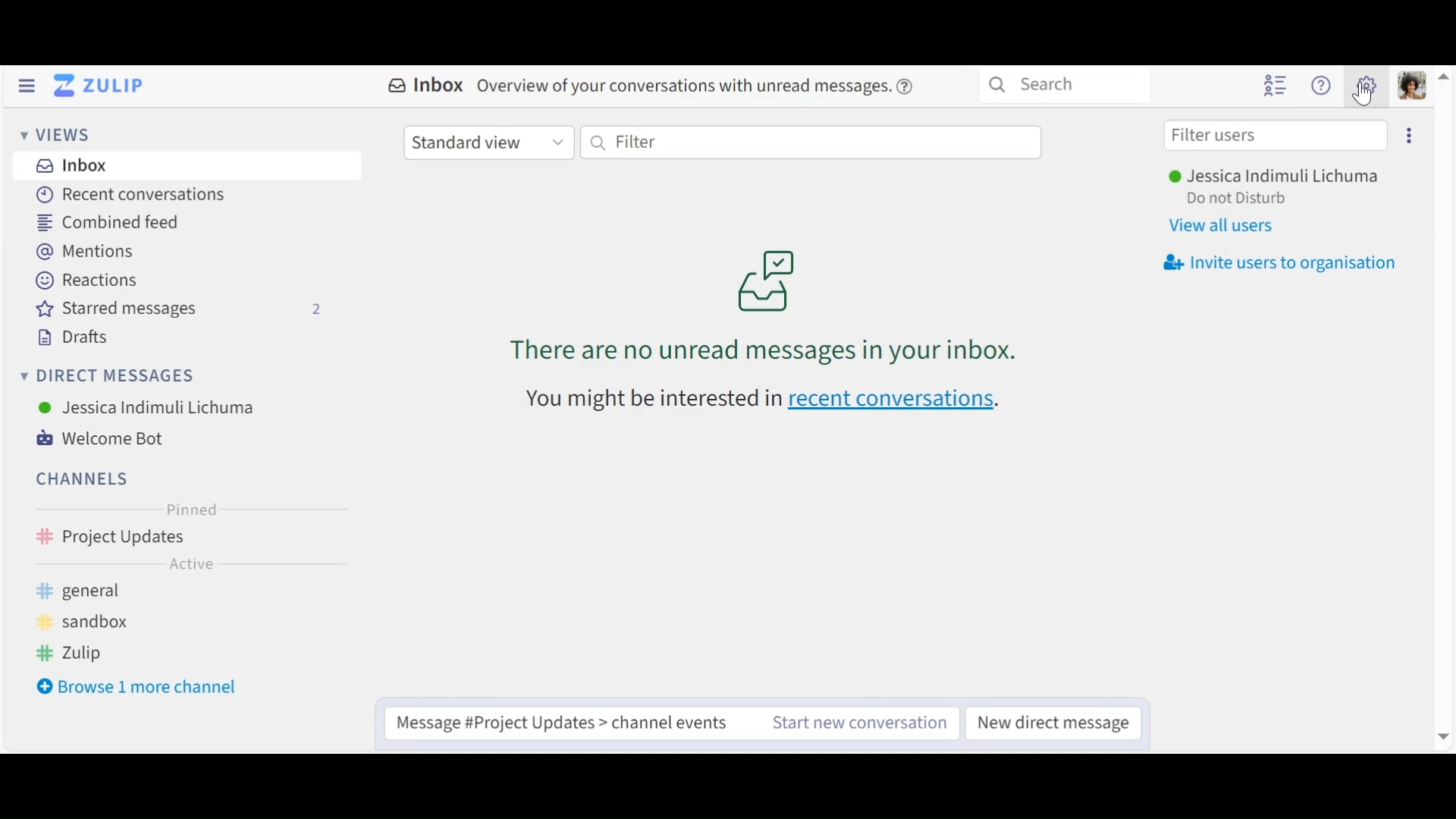 The height and width of the screenshot is (819, 1456). I want to click on Cursor, so click(1364, 98).